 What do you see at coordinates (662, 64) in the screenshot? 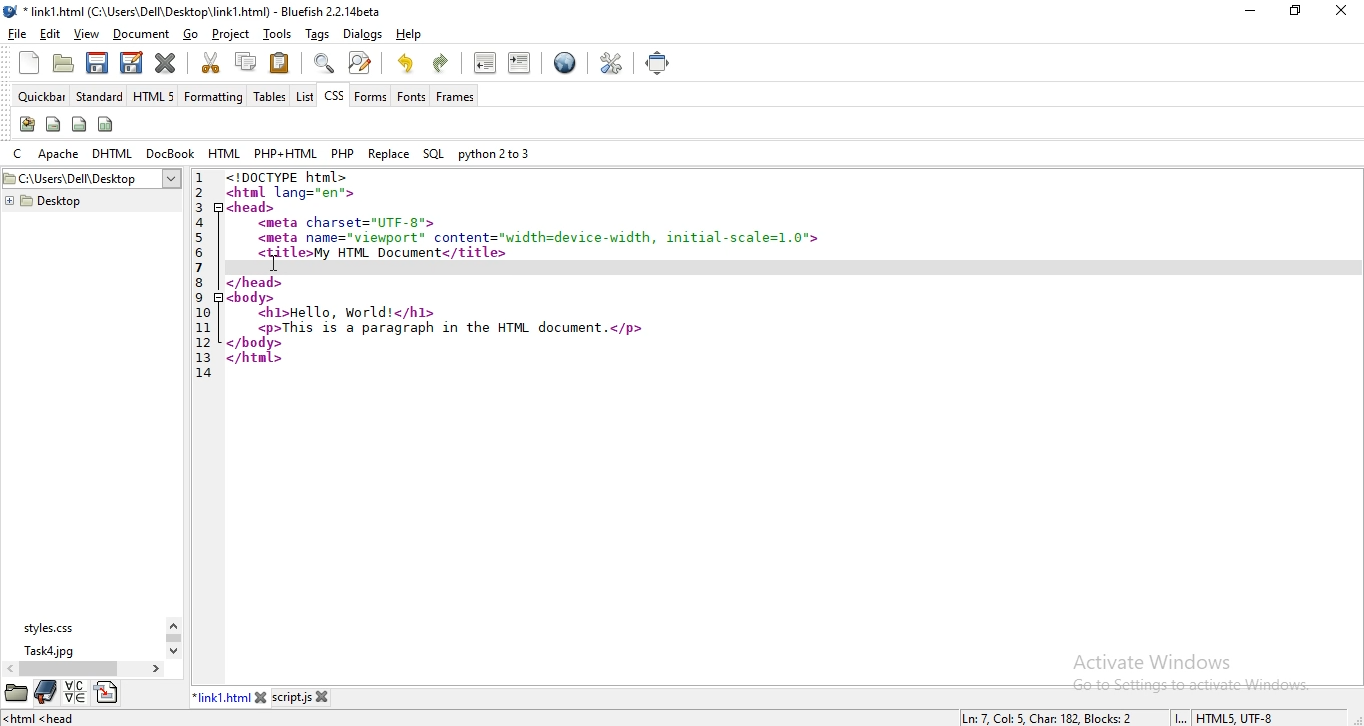
I see `full screen` at bounding box center [662, 64].